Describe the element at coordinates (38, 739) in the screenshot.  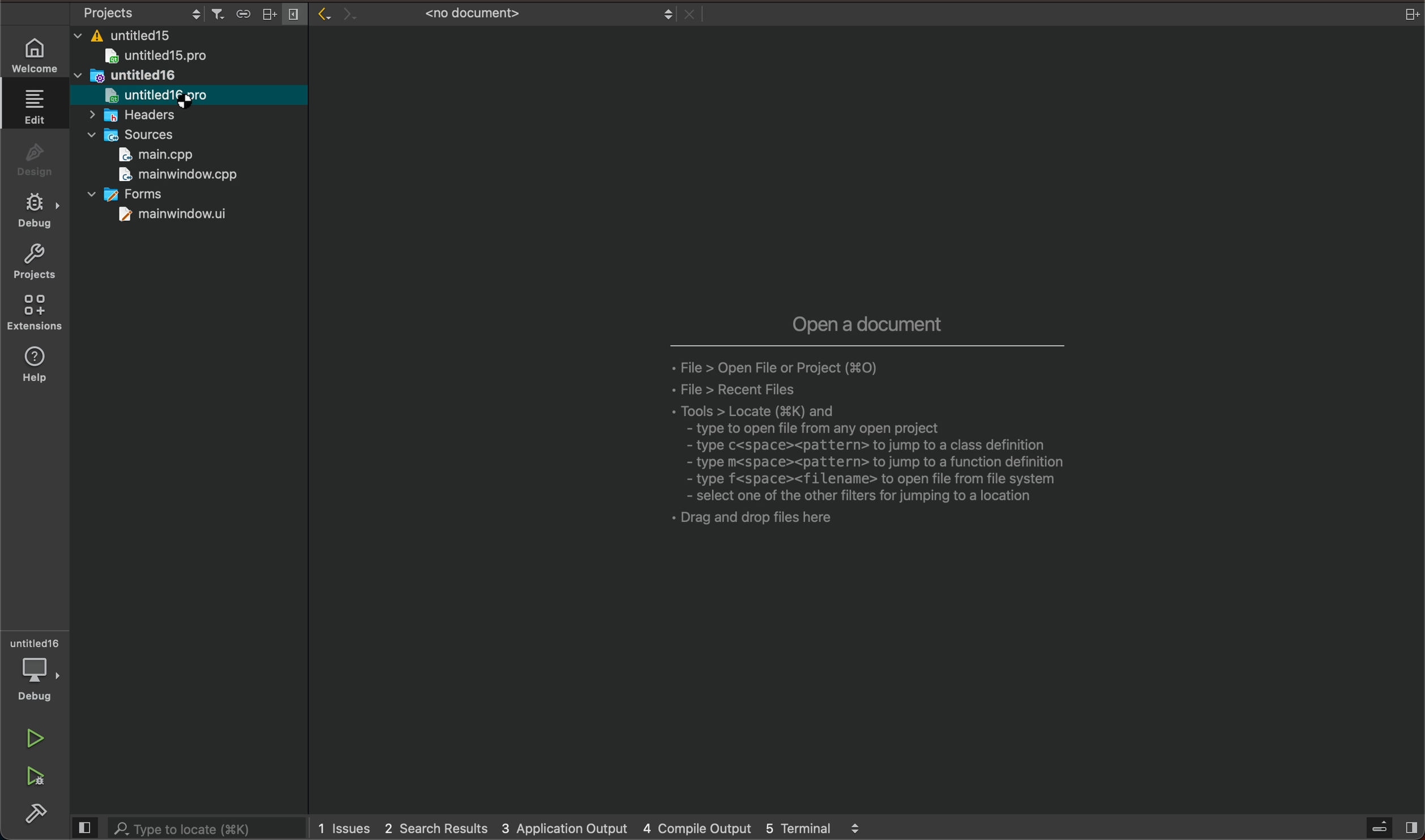
I see `run ` at that location.